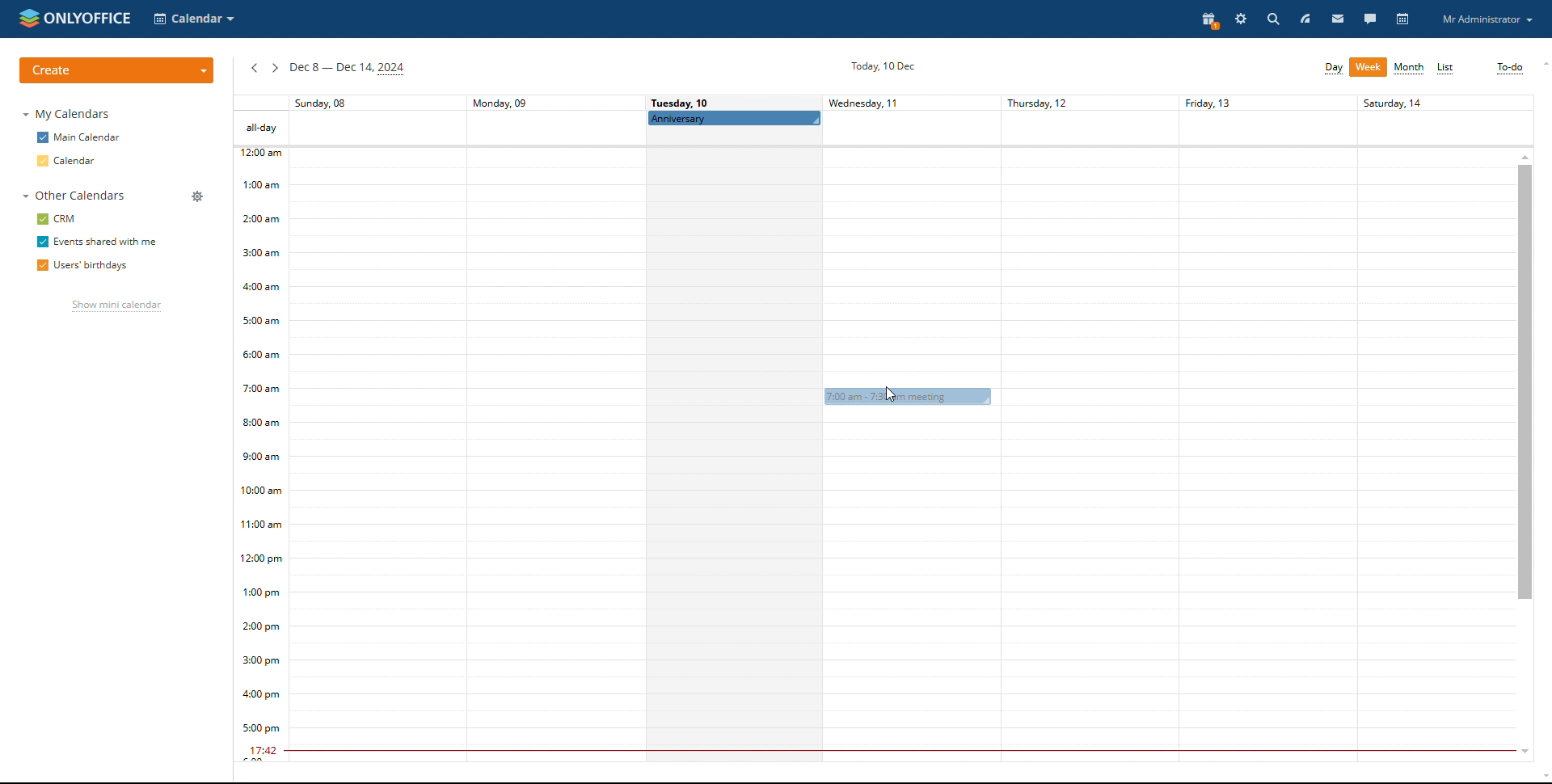 This screenshot has width=1552, height=784. What do you see at coordinates (1369, 67) in the screenshot?
I see `week view` at bounding box center [1369, 67].